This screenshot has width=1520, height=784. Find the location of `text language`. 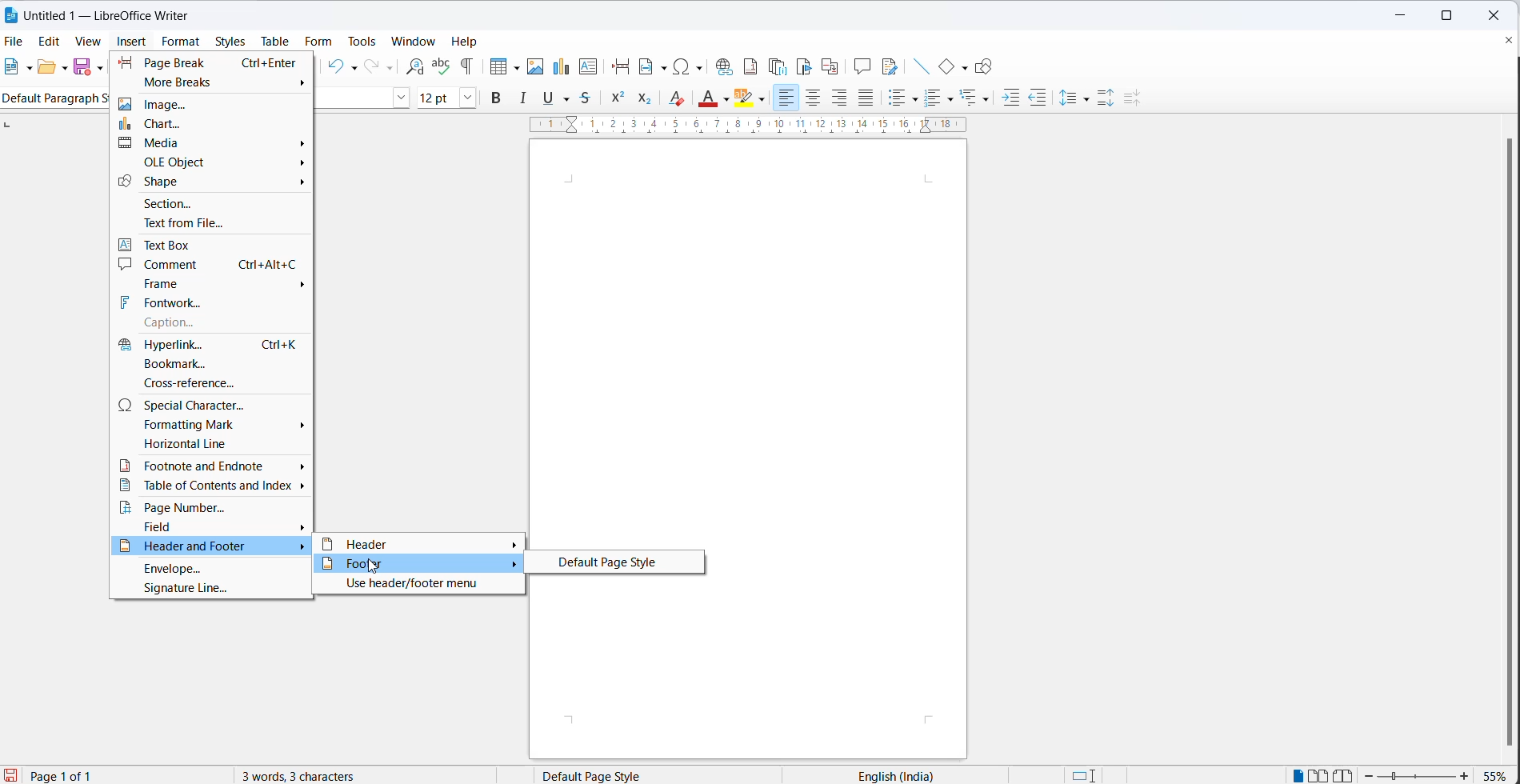

text language is located at coordinates (915, 774).